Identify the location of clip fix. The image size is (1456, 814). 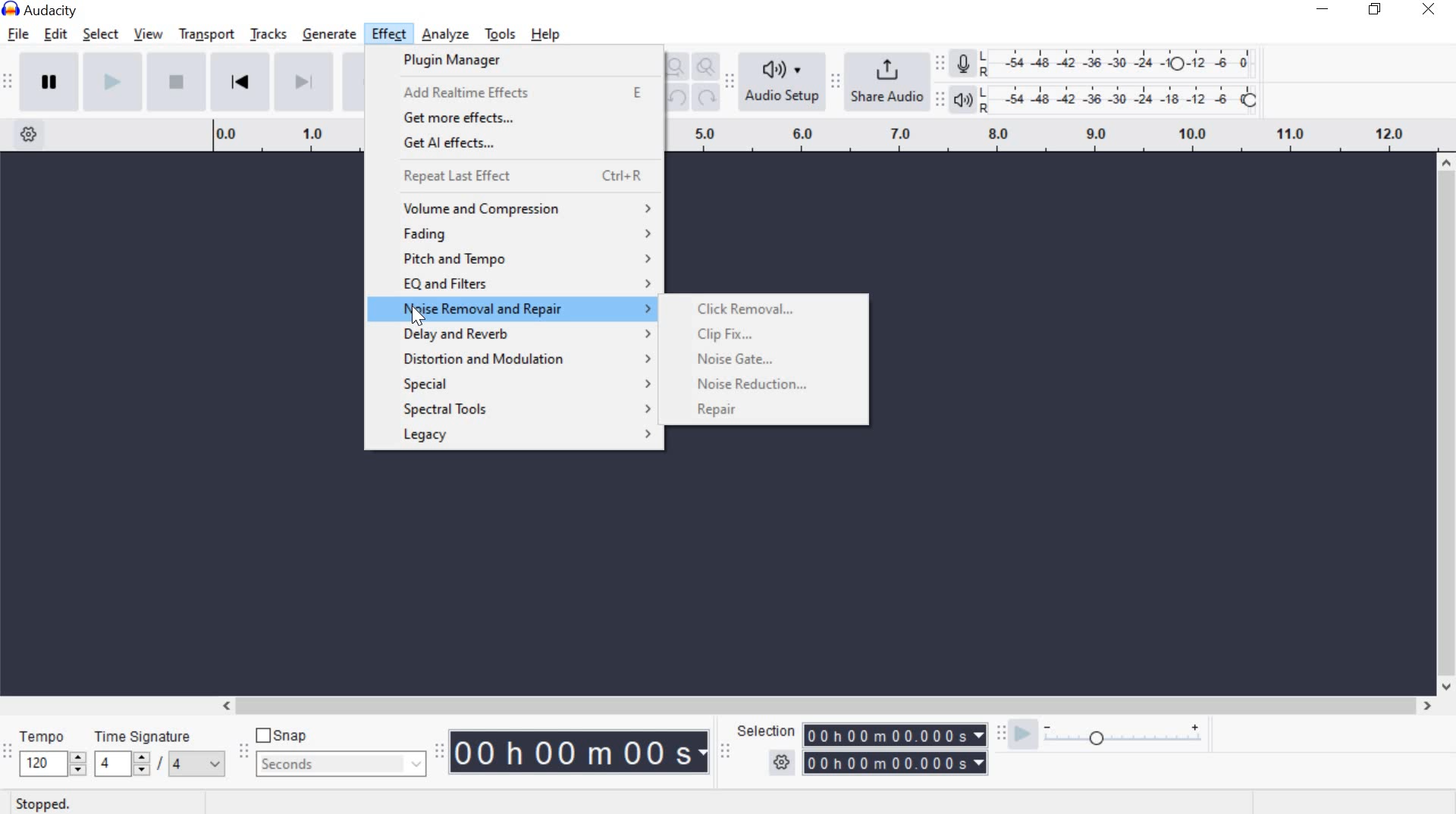
(761, 336).